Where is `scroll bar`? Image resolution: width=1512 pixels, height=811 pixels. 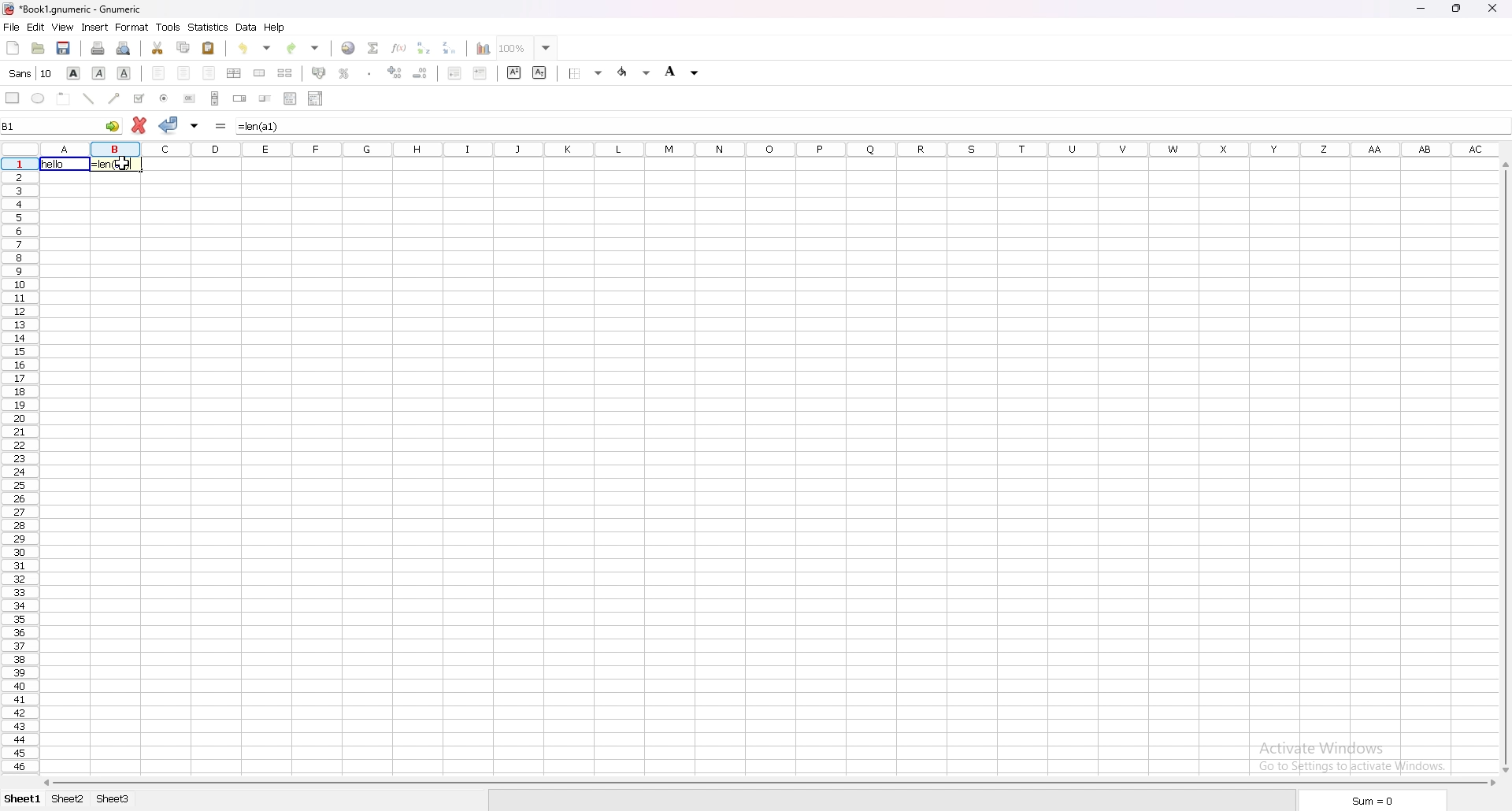 scroll bar is located at coordinates (1504, 469).